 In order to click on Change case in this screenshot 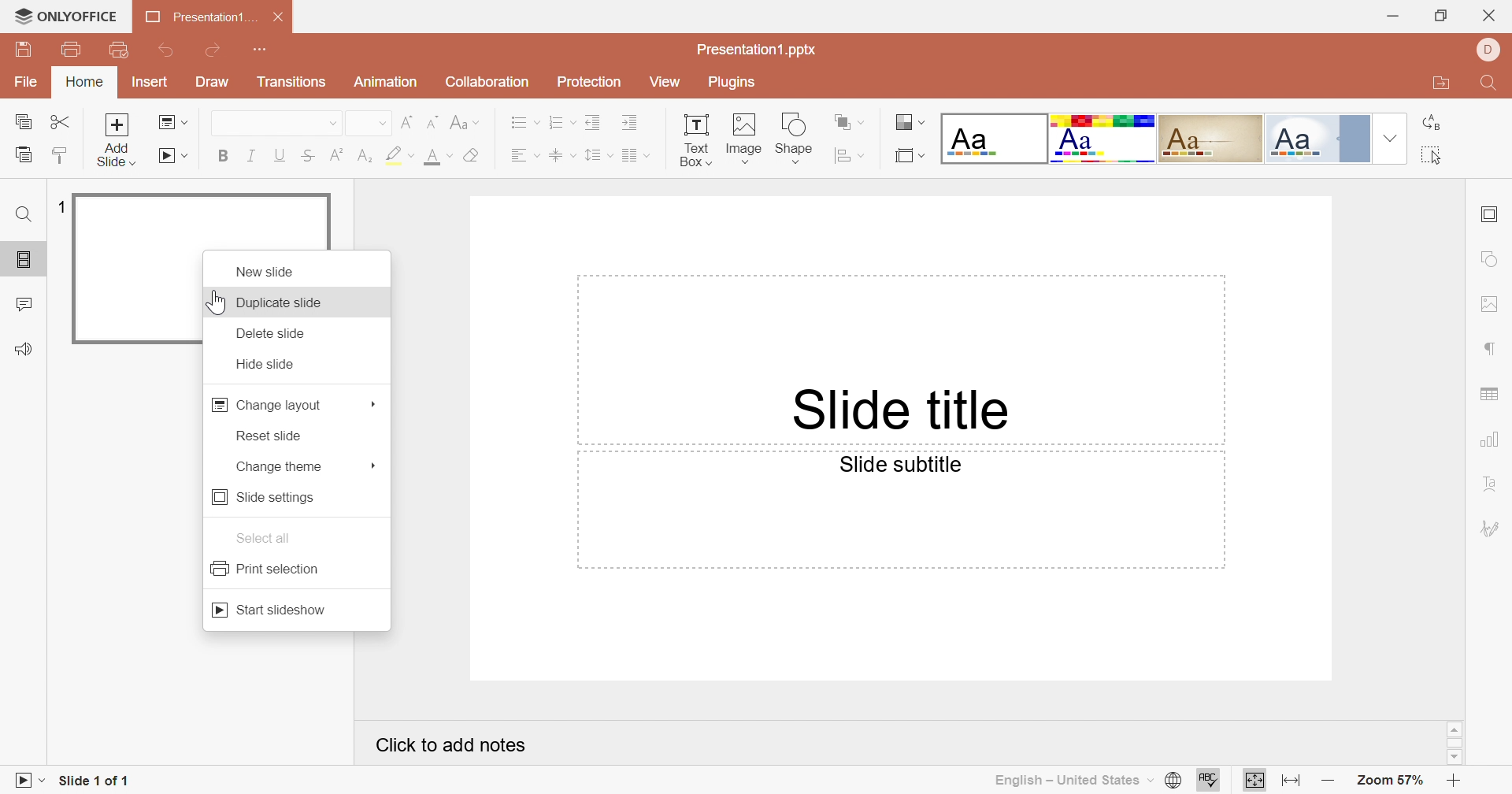, I will do `click(466, 120)`.